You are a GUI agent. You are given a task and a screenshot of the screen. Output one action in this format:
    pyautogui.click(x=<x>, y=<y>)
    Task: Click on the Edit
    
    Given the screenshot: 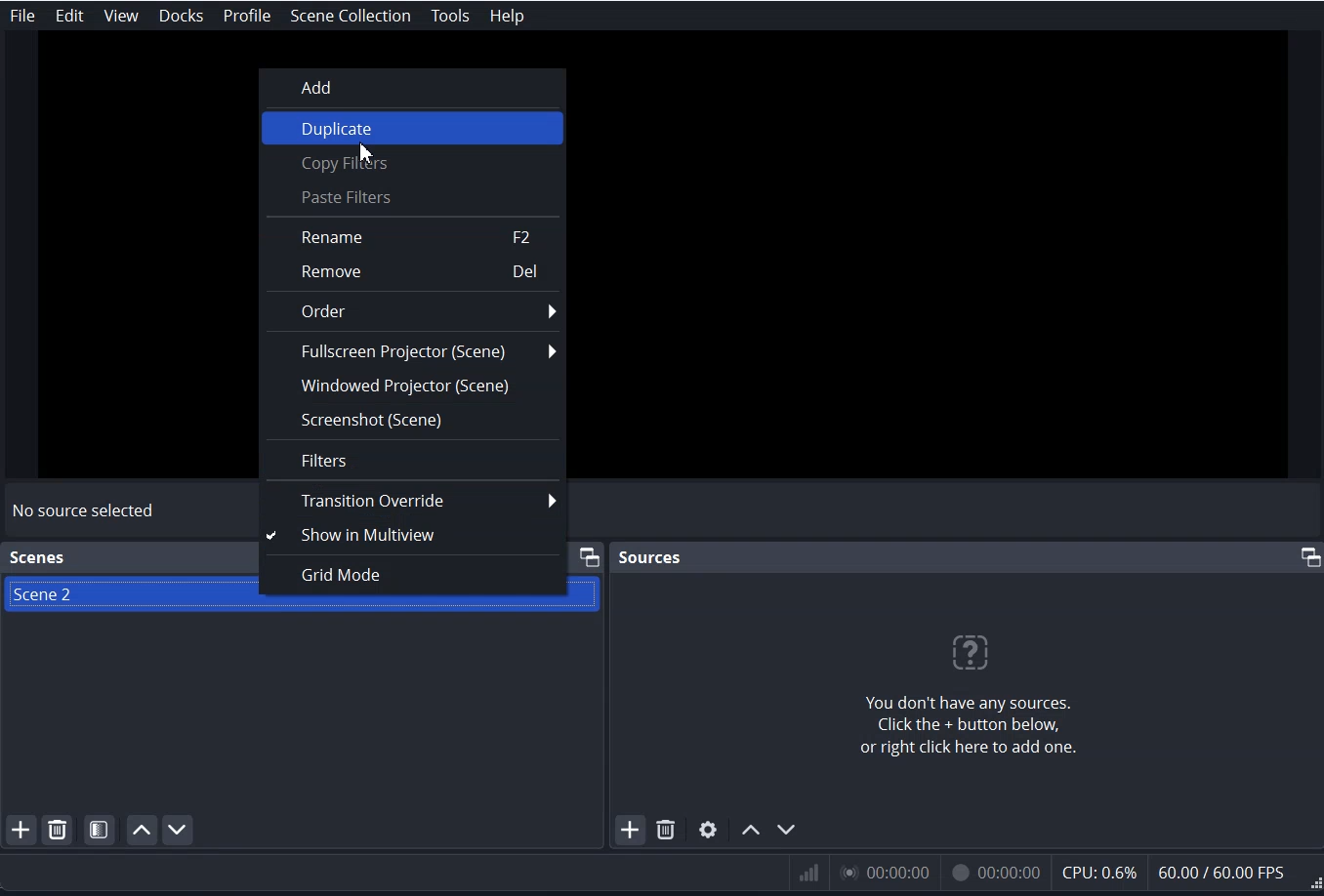 What is the action you would take?
    pyautogui.click(x=69, y=17)
    